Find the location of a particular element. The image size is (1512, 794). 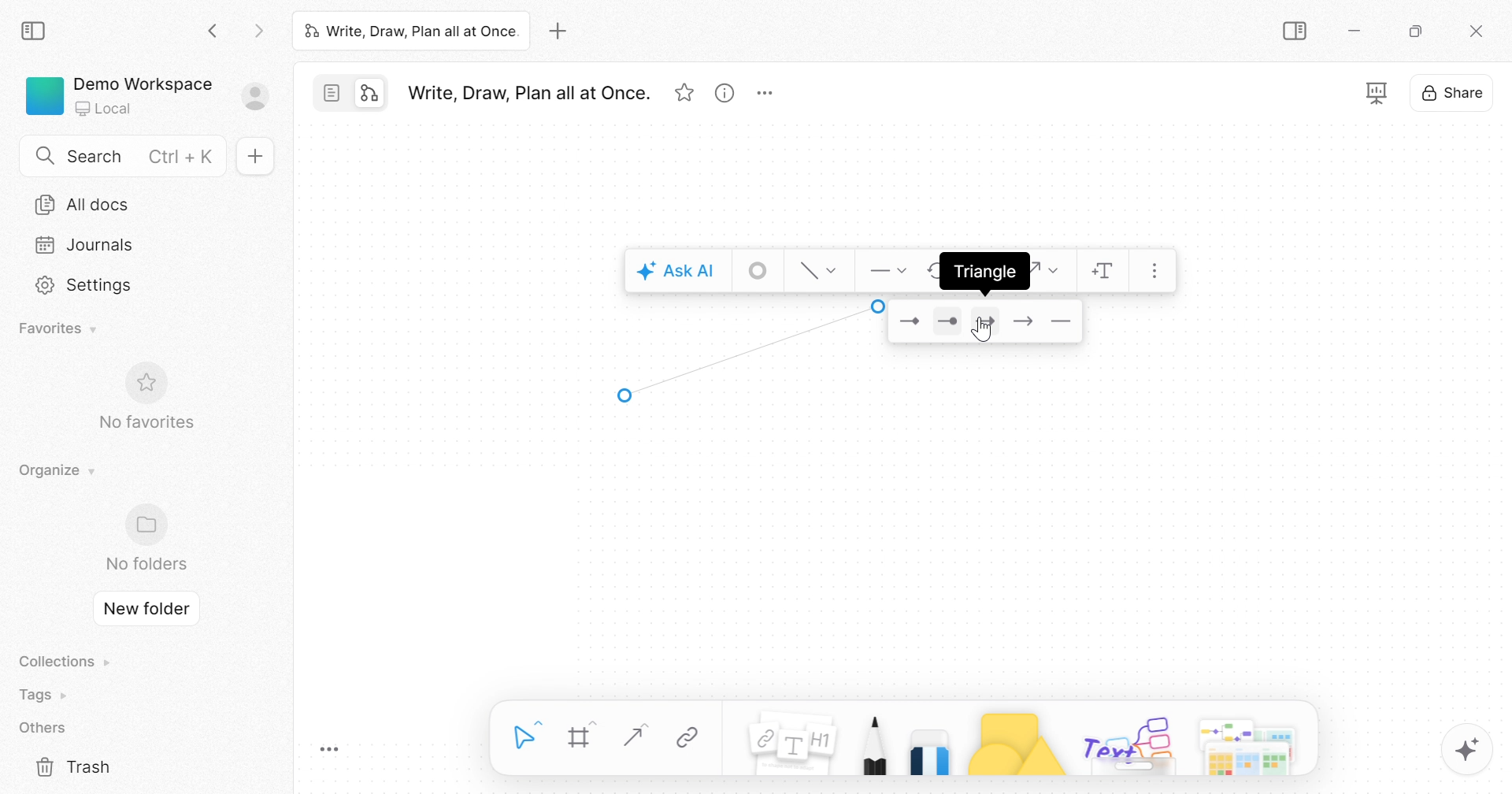

More options is located at coordinates (1250, 743).